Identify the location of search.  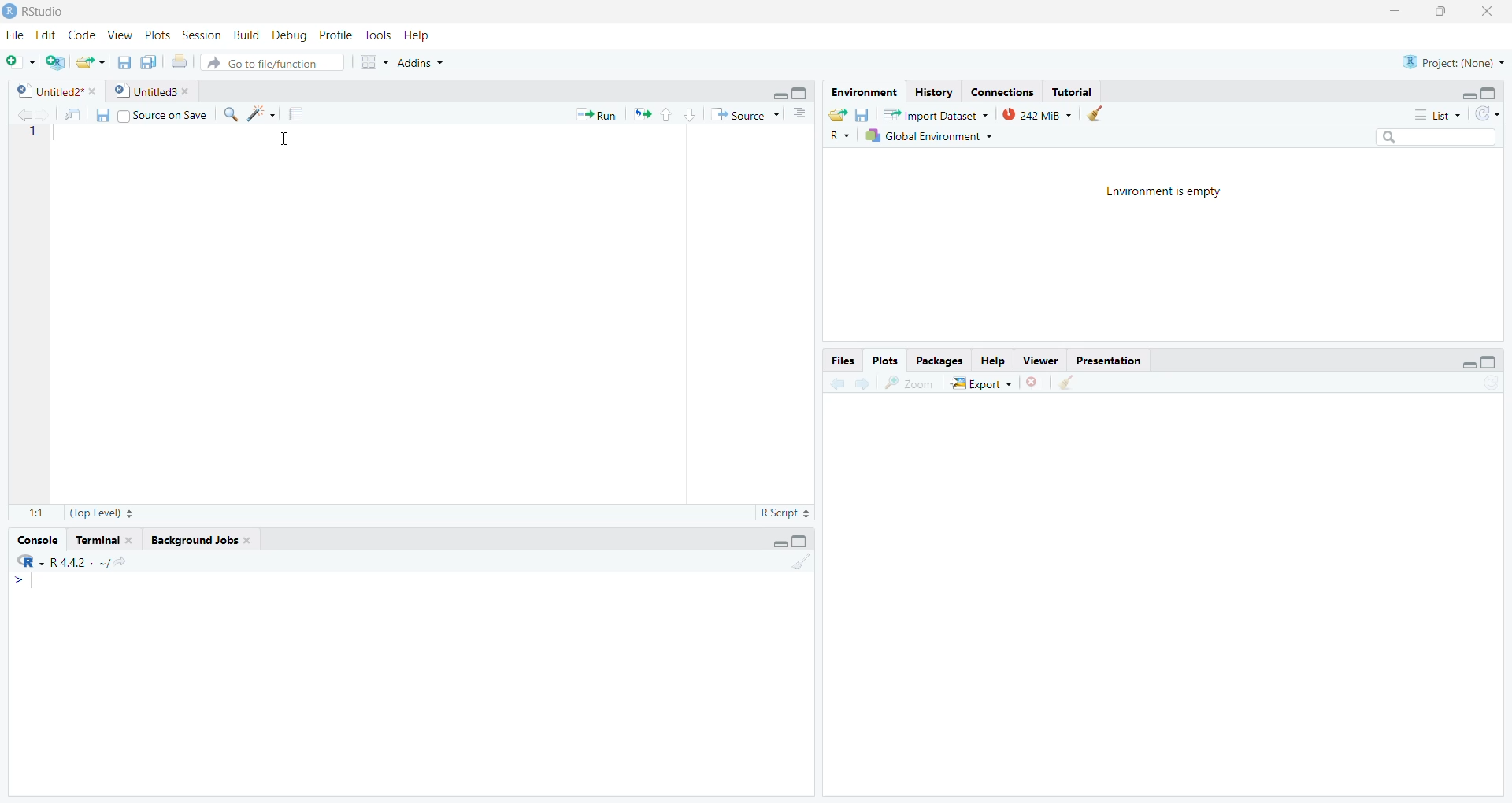
(229, 115).